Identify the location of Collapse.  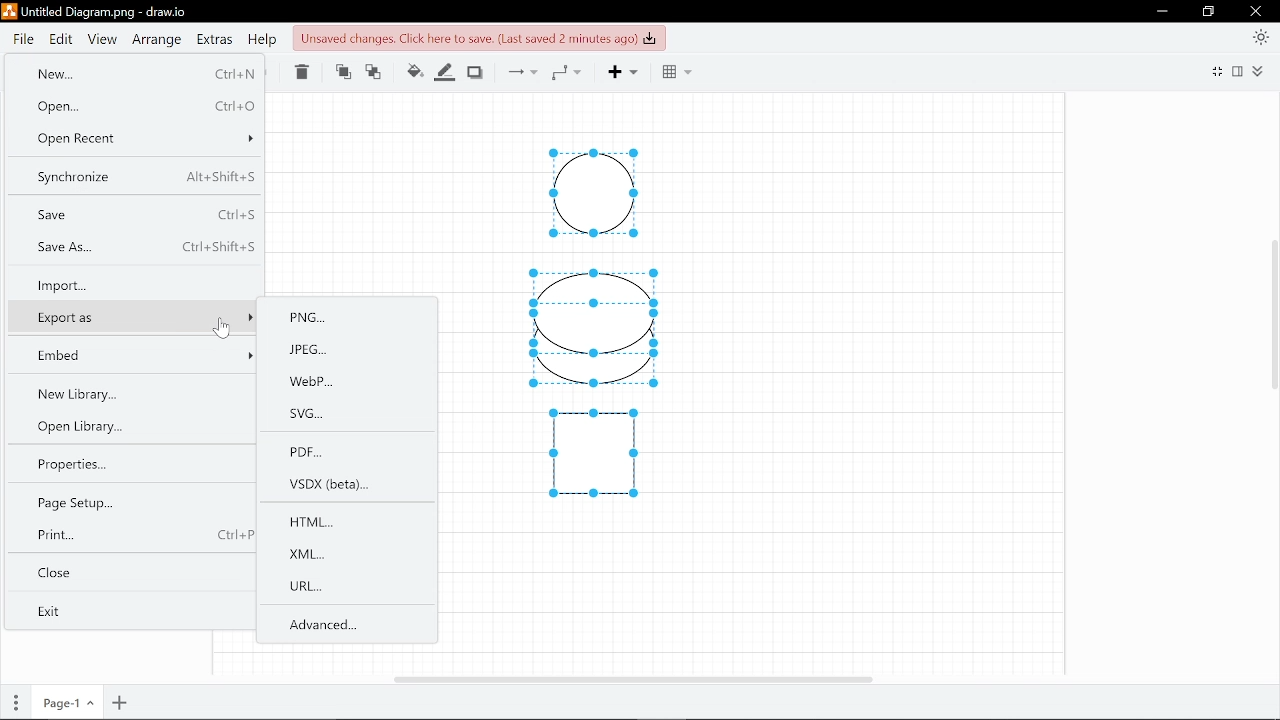
(1257, 71).